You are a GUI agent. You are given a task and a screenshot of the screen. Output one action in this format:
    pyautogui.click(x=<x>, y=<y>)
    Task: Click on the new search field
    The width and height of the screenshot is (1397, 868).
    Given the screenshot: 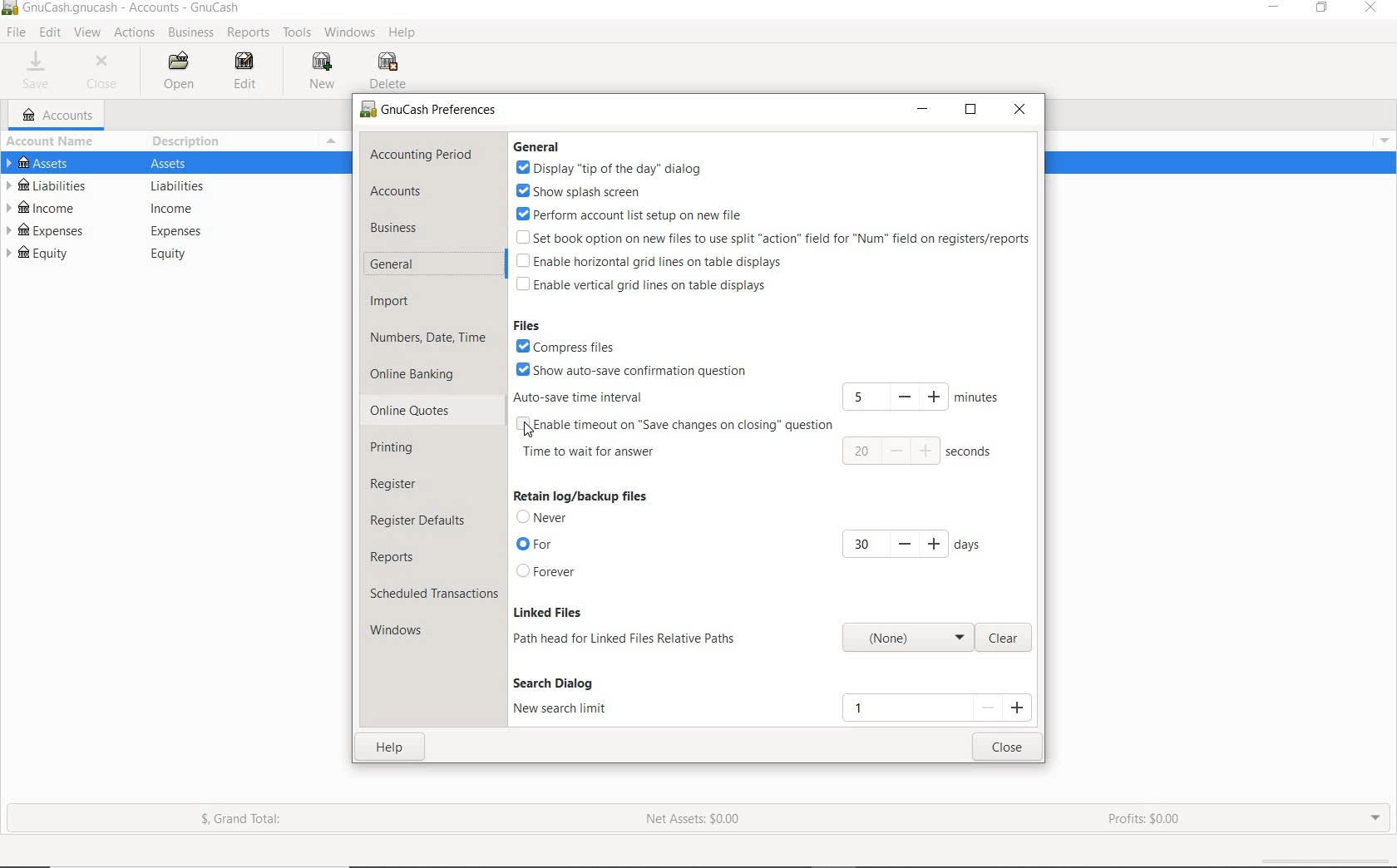 What is the action you would take?
    pyautogui.click(x=937, y=707)
    